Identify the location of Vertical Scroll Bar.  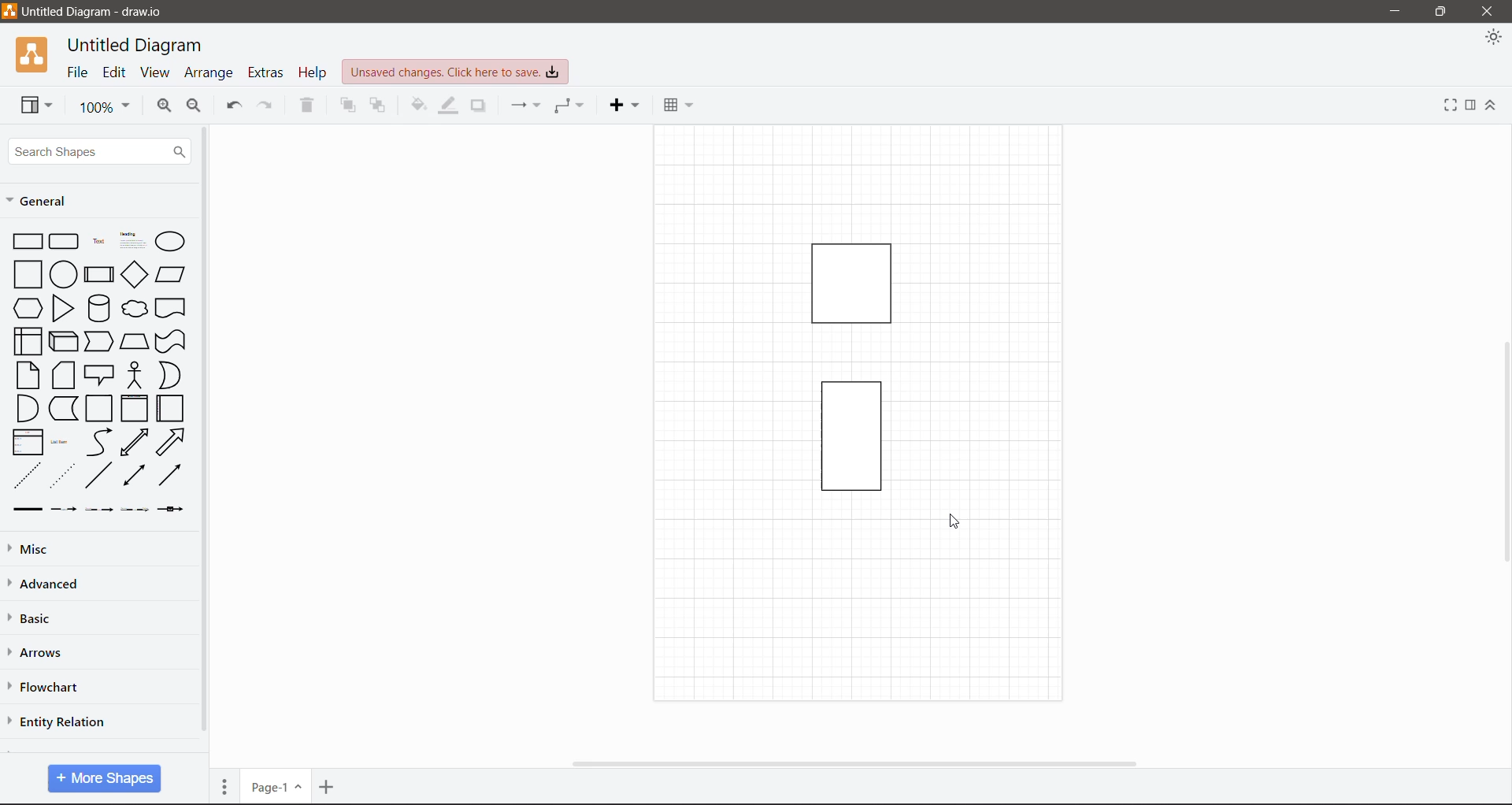
(1503, 453).